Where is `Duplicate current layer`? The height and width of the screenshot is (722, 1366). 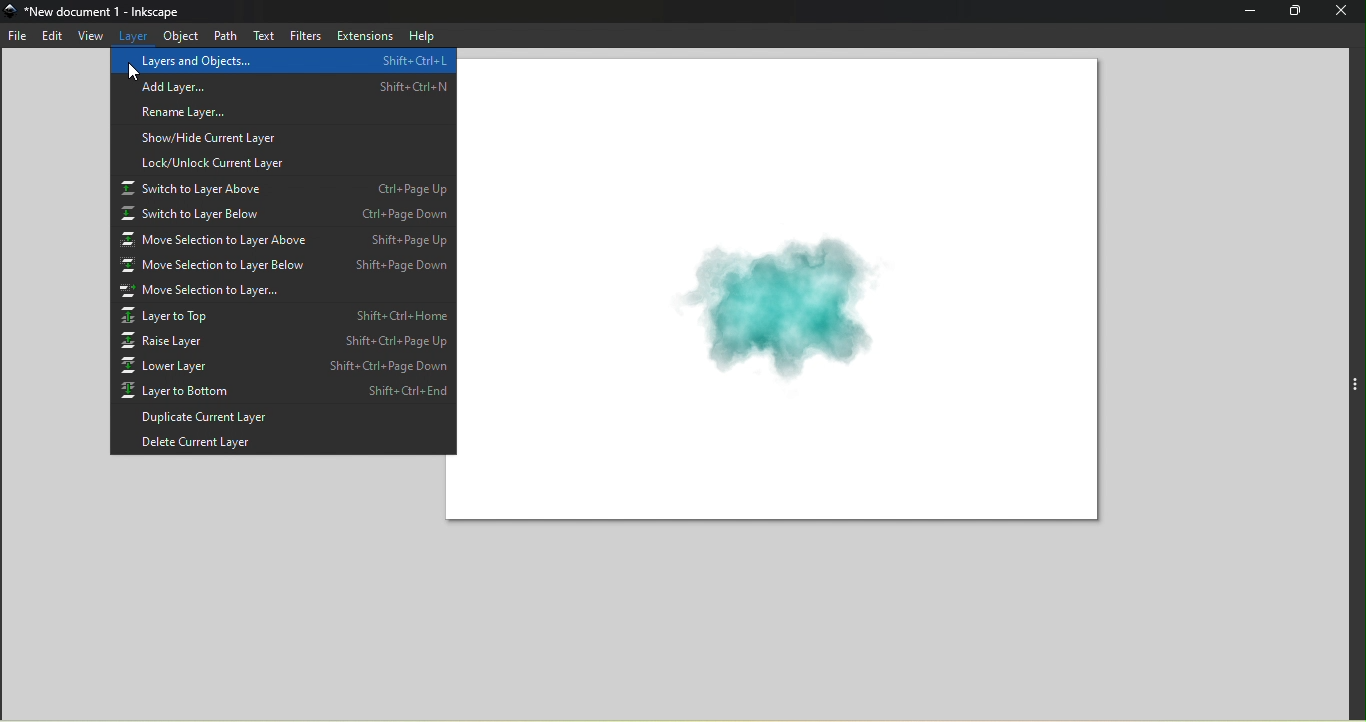 Duplicate current layer is located at coordinates (280, 419).